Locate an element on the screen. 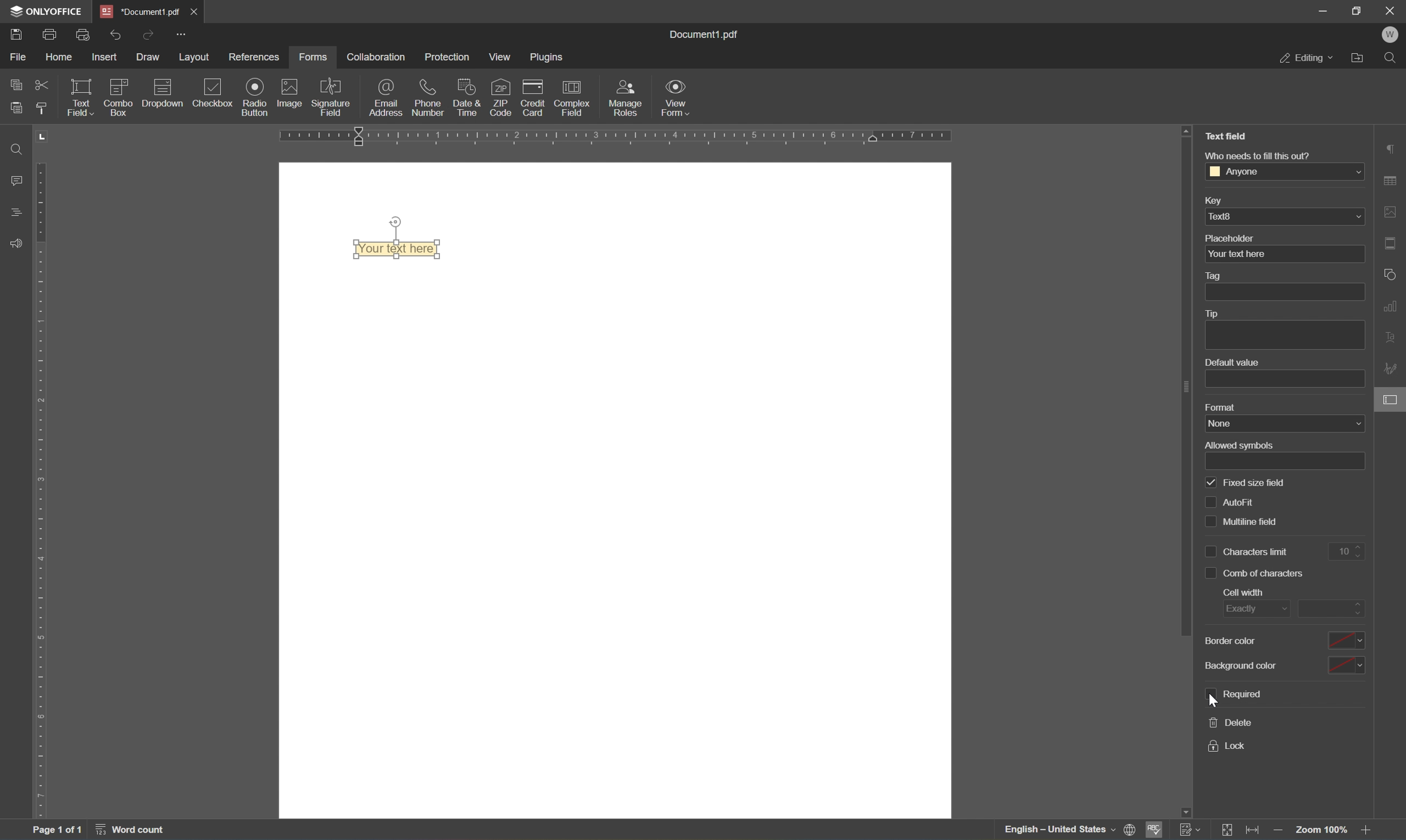  fit to width is located at coordinates (1254, 832).